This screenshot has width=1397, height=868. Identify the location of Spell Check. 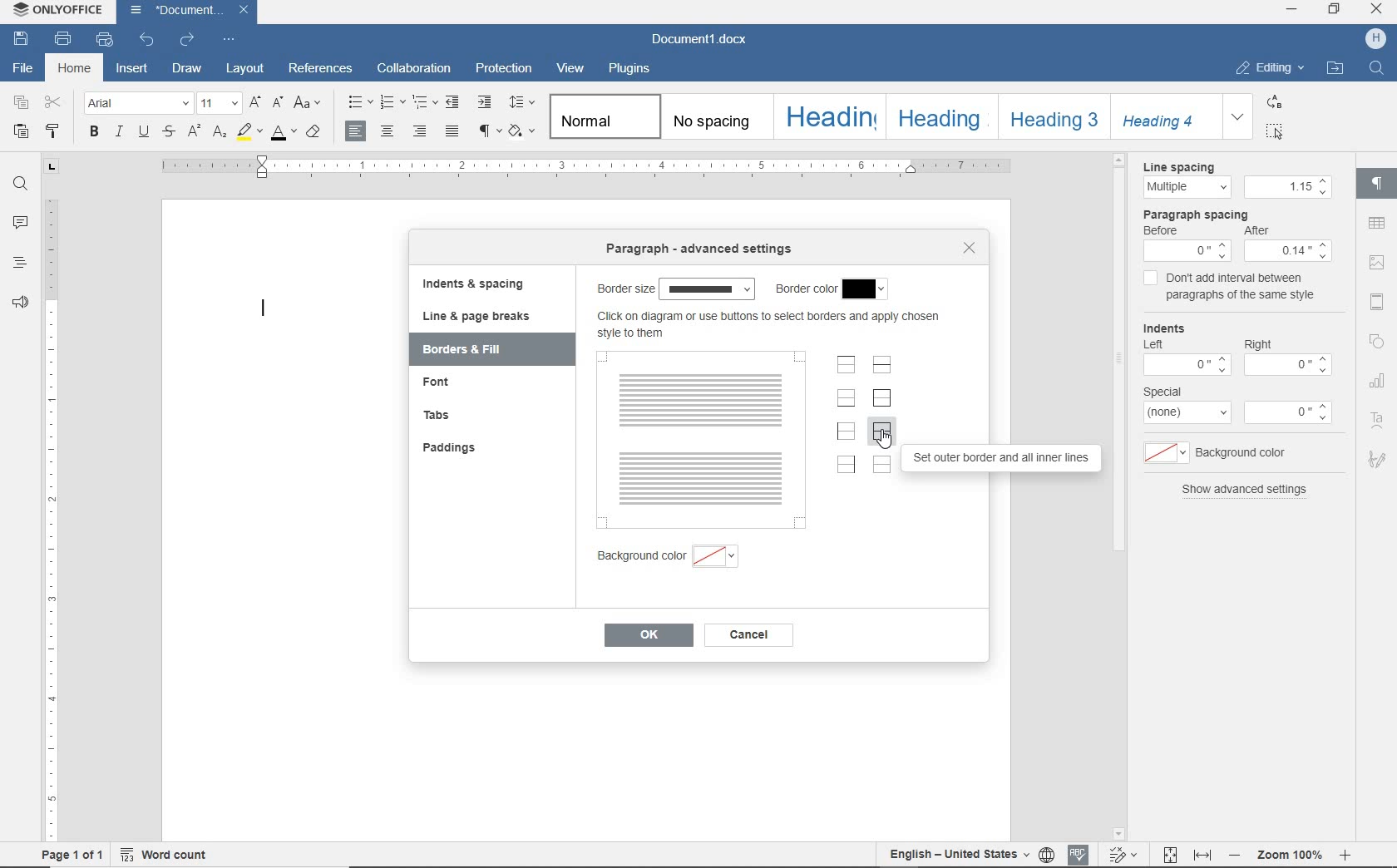
(1080, 853).